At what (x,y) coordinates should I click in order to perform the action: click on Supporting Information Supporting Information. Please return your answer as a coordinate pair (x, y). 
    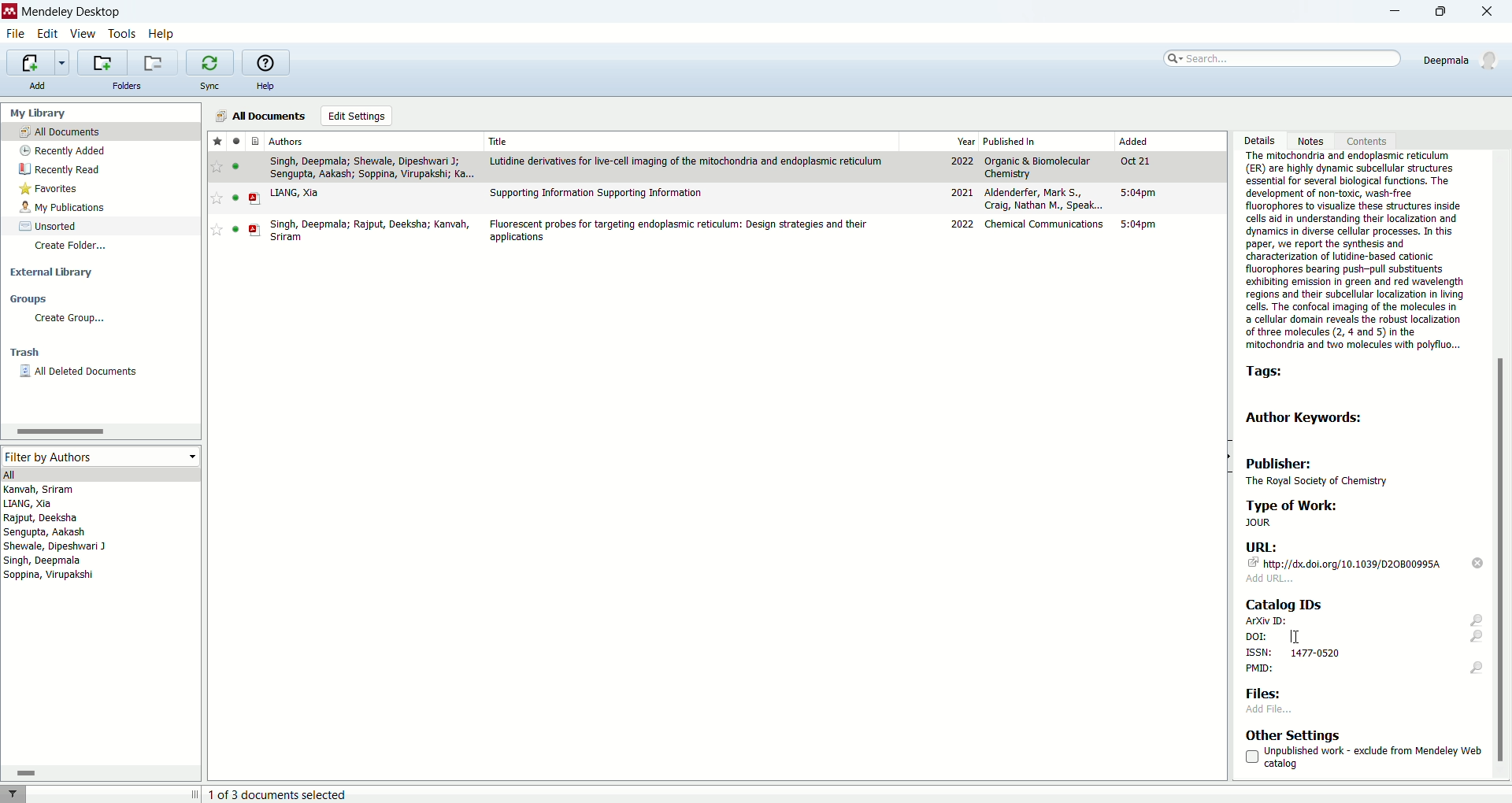
    Looking at the image, I should click on (597, 194).